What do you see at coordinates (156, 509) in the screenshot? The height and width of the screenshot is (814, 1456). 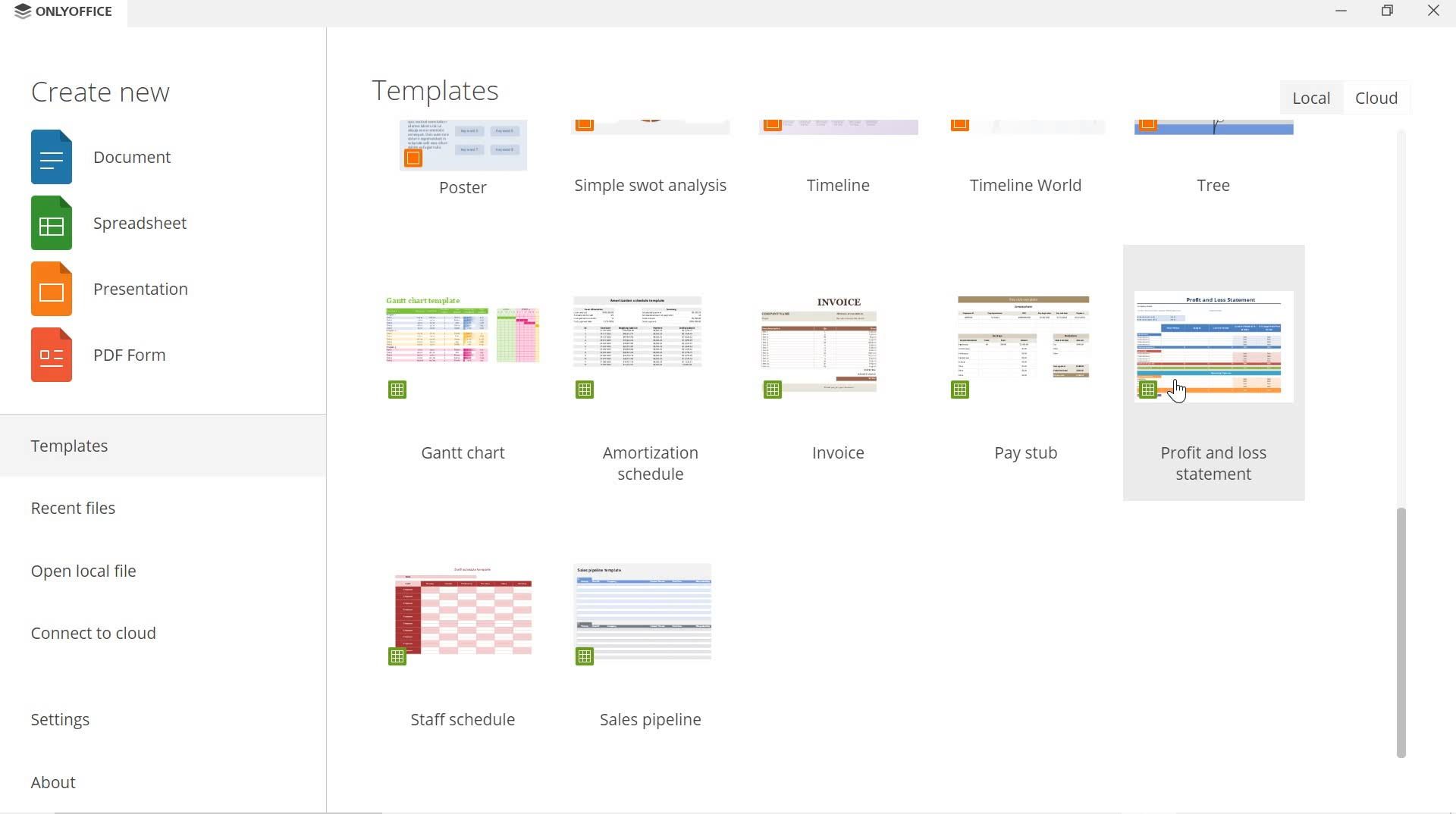 I see `recent files` at bounding box center [156, 509].